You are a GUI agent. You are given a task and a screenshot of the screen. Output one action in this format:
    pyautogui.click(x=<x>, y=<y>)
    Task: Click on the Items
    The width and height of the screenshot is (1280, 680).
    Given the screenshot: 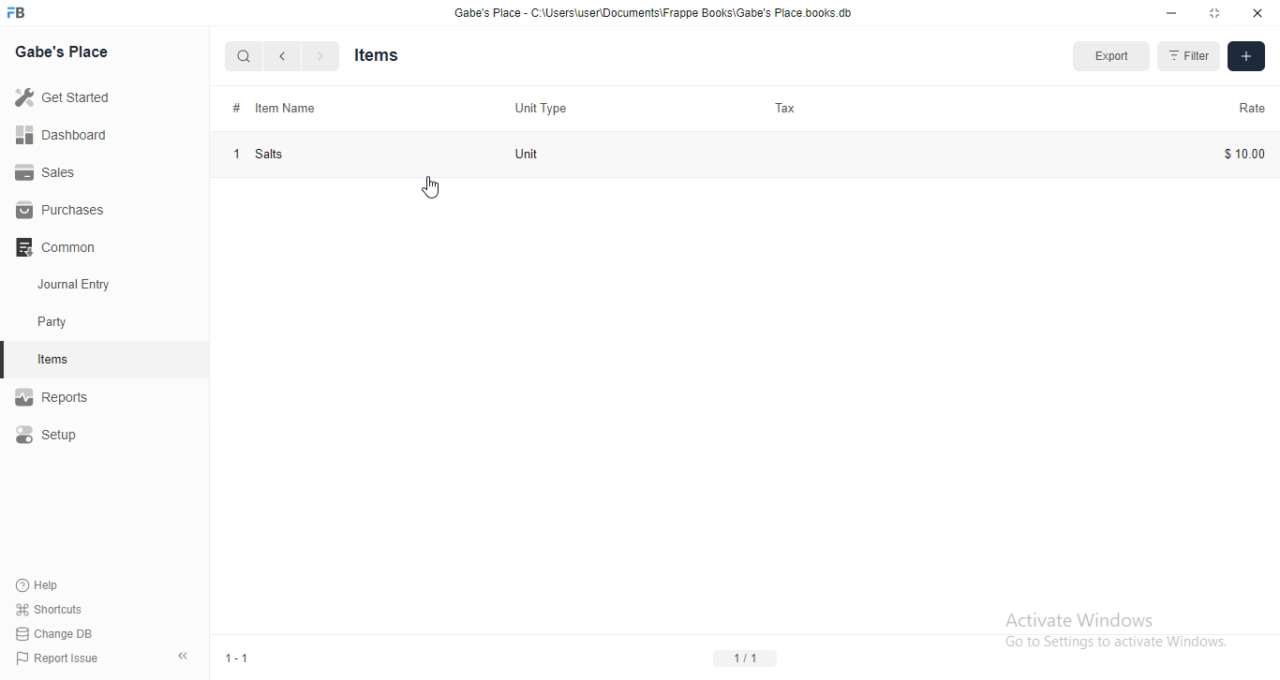 What is the action you would take?
    pyautogui.click(x=386, y=55)
    